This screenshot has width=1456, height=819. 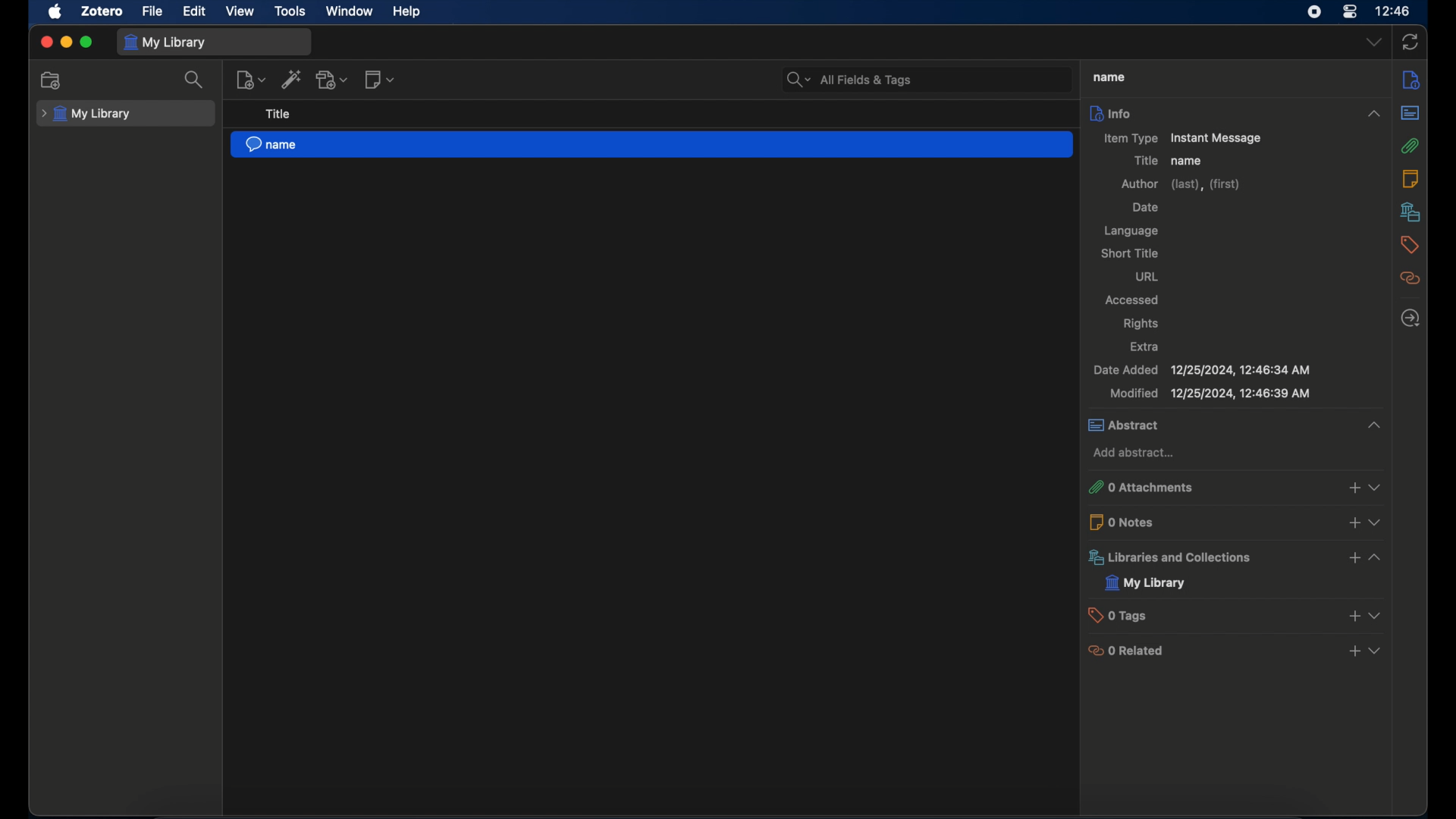 I want to click on instant message, so click(x=651, y=145).